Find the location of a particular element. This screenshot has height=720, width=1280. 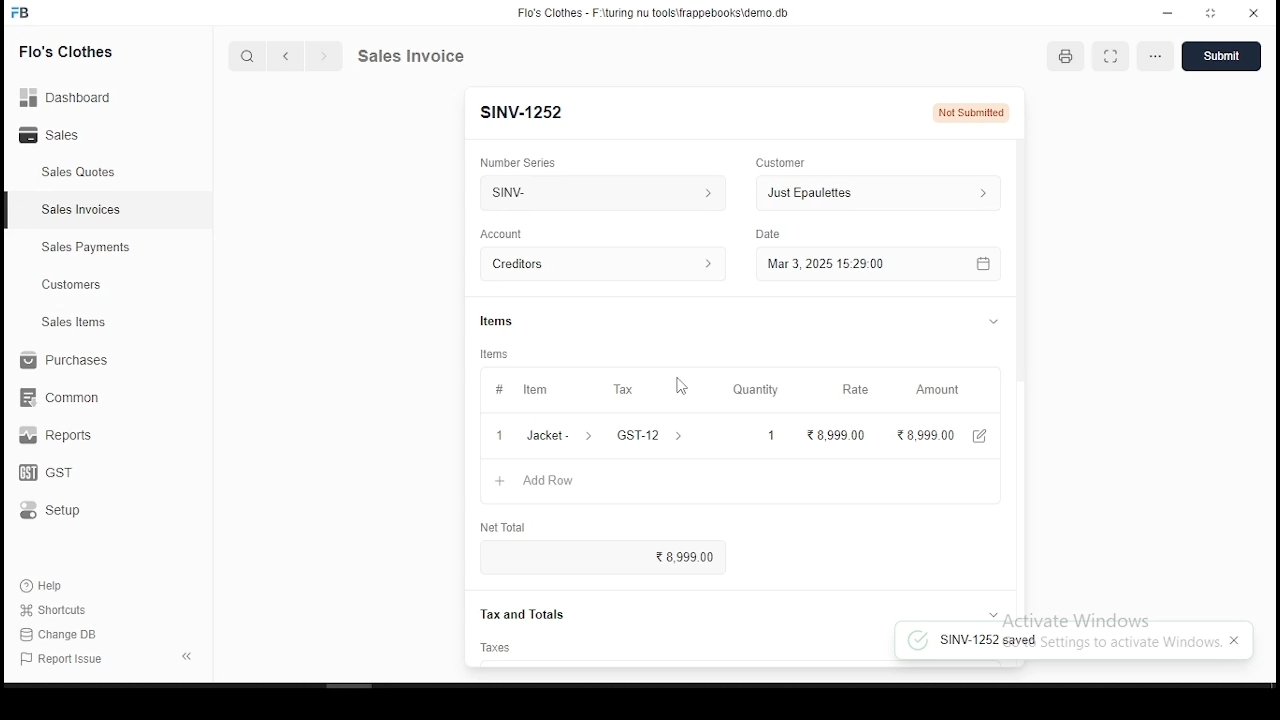

report issues is located at coordinates (65, 660).